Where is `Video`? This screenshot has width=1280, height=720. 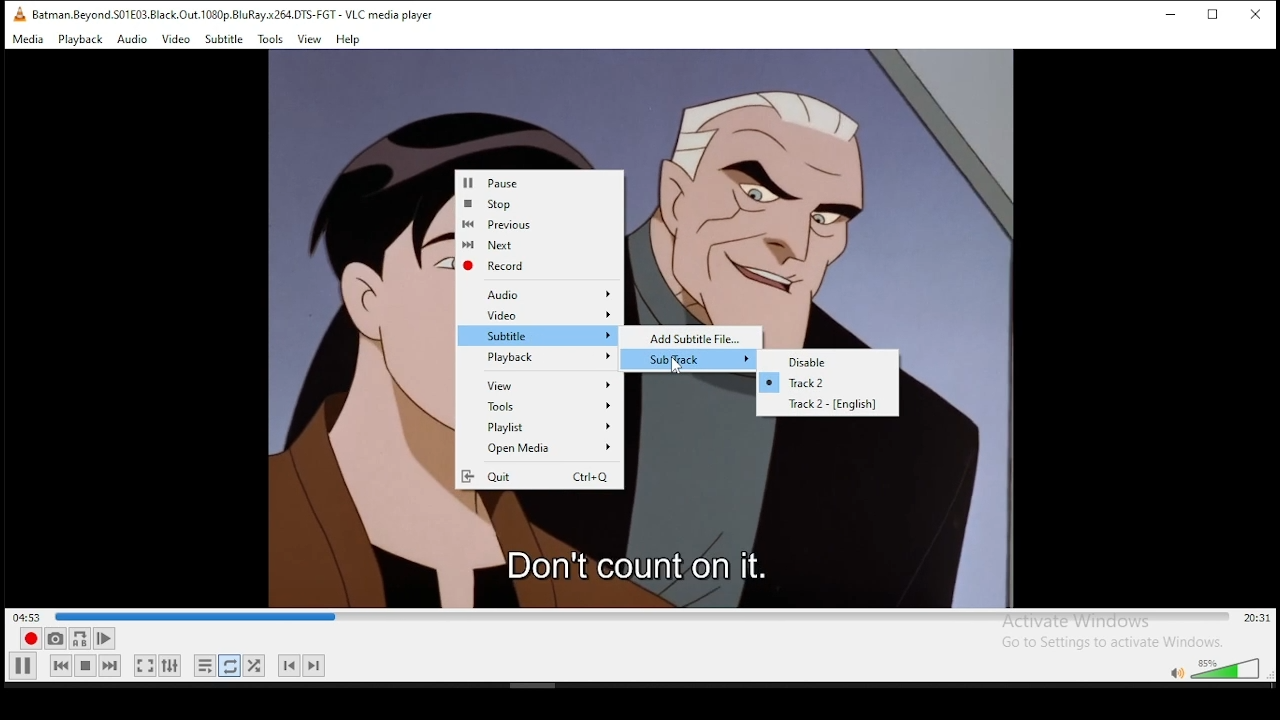 Video is located at coordinates (175, 40).